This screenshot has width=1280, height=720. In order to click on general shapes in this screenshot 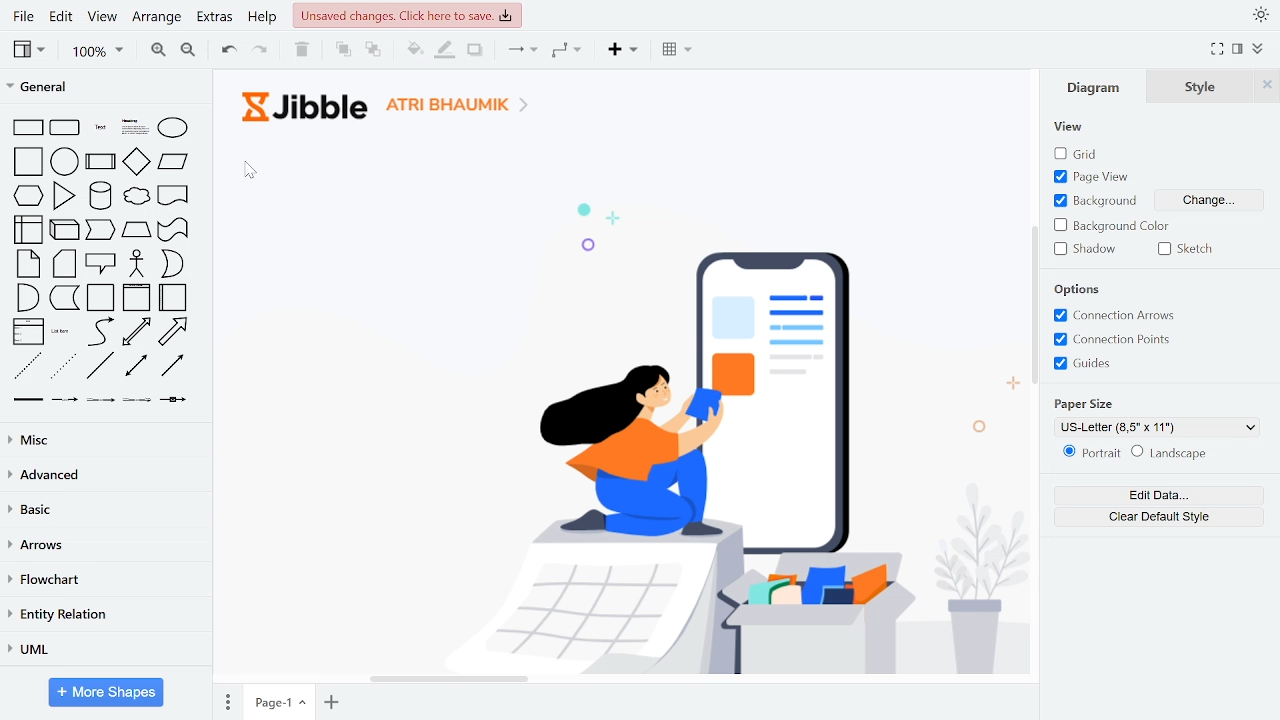, I will do `click(99, 229)`.